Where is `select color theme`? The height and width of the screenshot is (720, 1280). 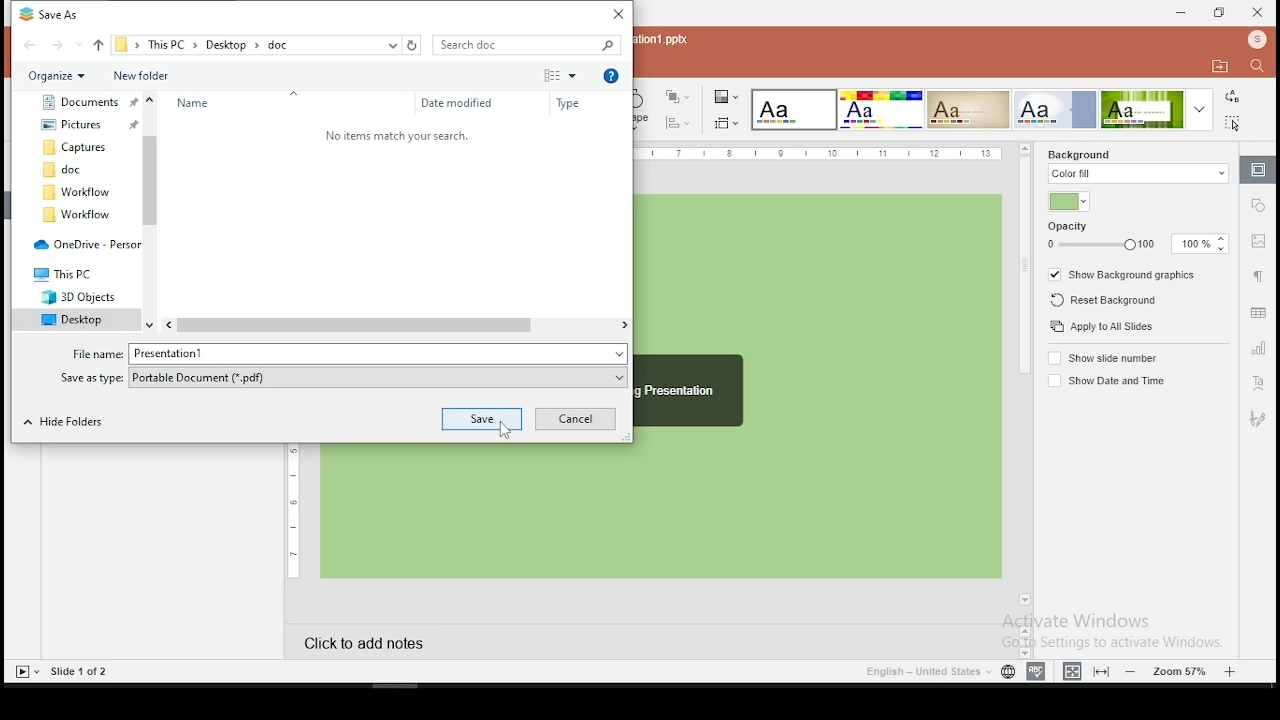
select color theme is located at coordinates (793, 110).